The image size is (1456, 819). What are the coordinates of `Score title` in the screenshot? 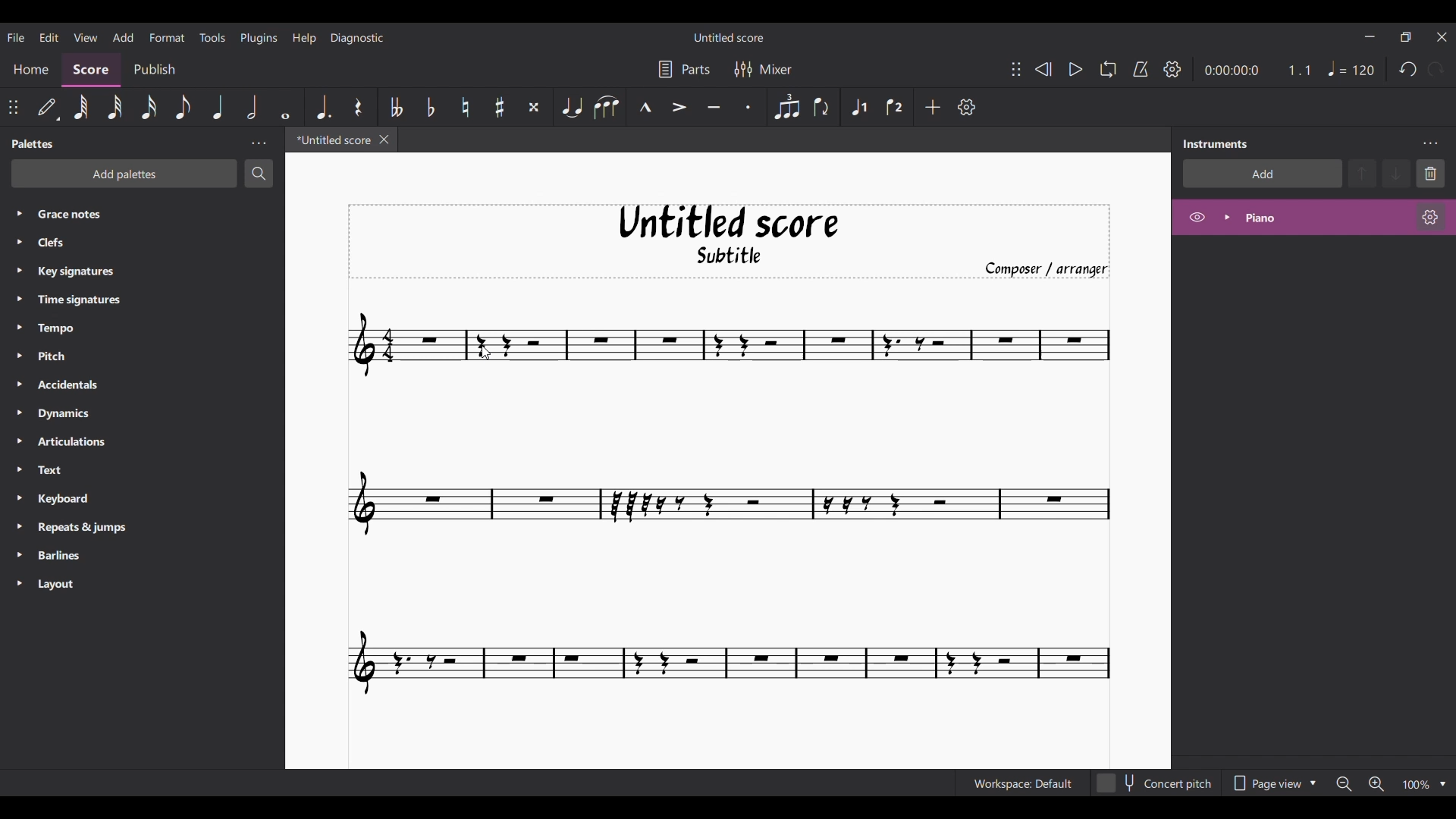 It's located at (727, 36).